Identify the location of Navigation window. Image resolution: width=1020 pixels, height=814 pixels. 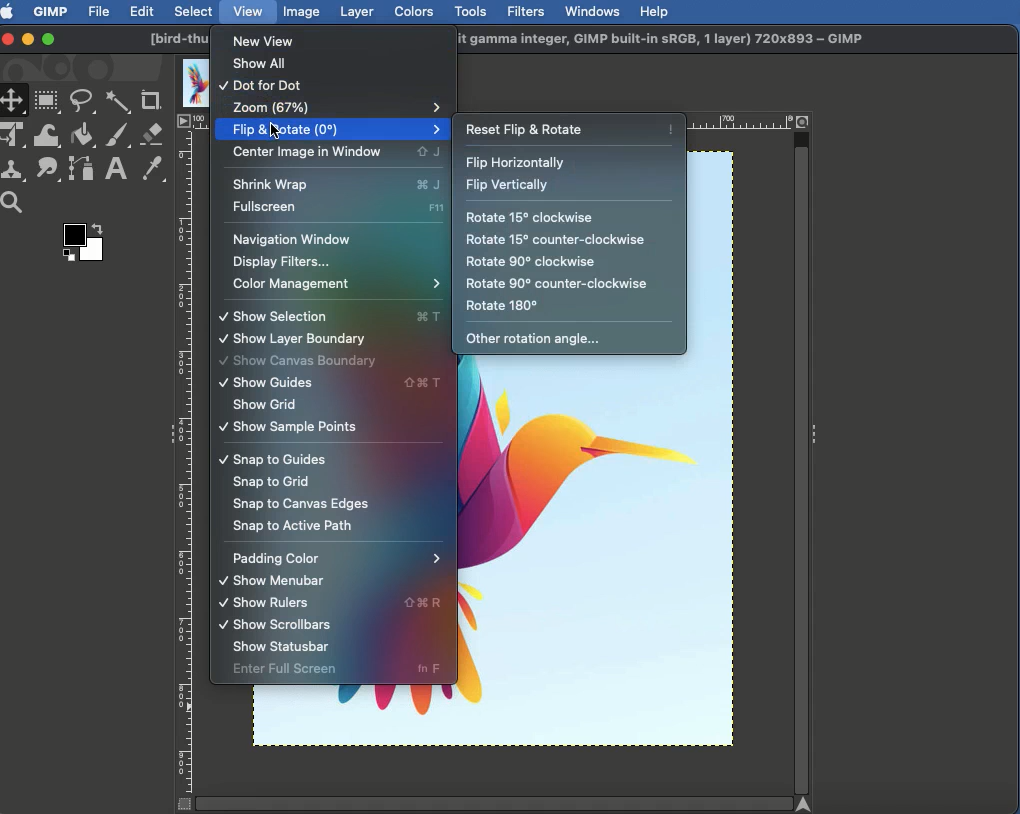
(290, 241).